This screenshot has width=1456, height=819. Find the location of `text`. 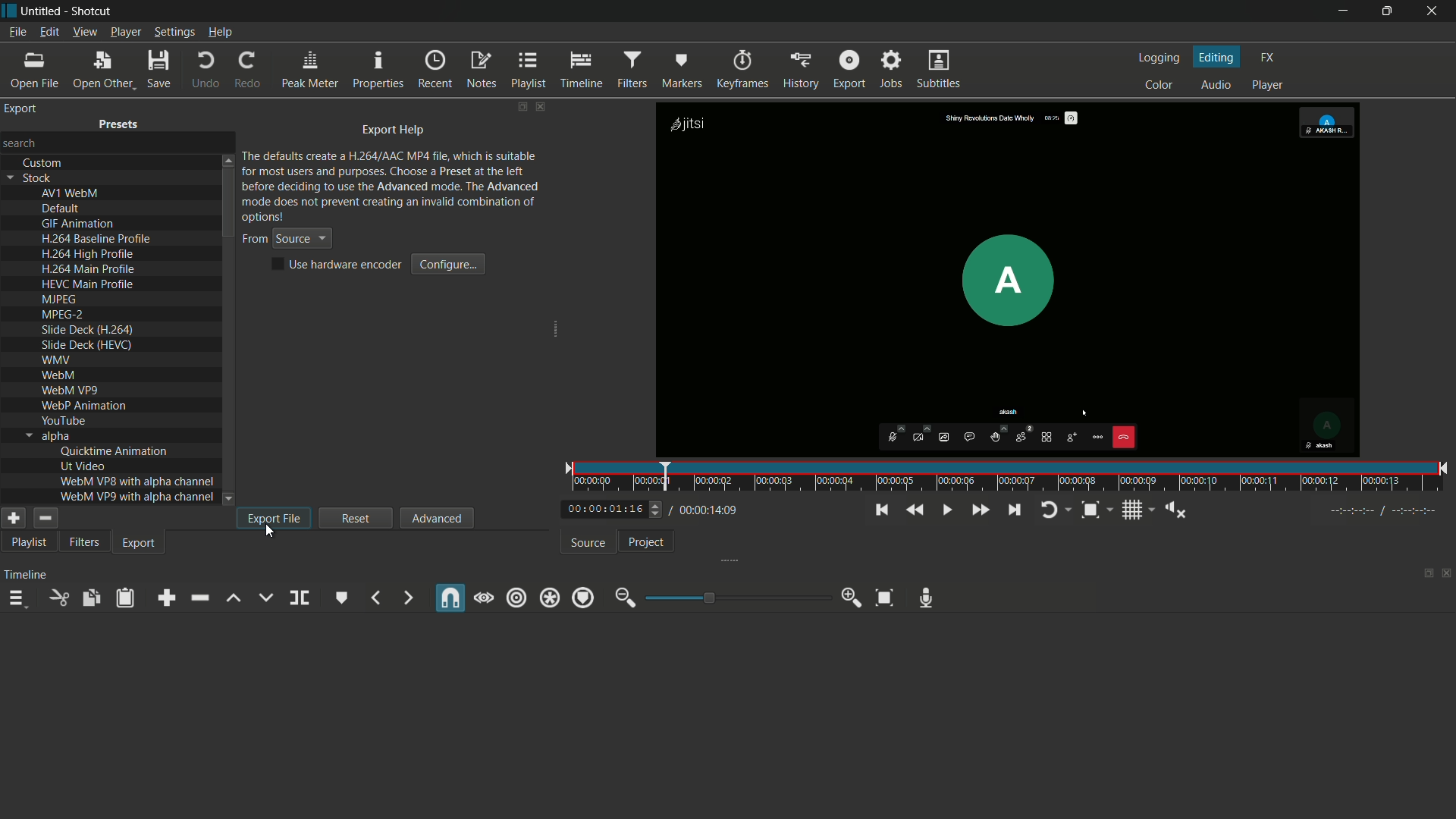

text is located at coordinates (61, 375).